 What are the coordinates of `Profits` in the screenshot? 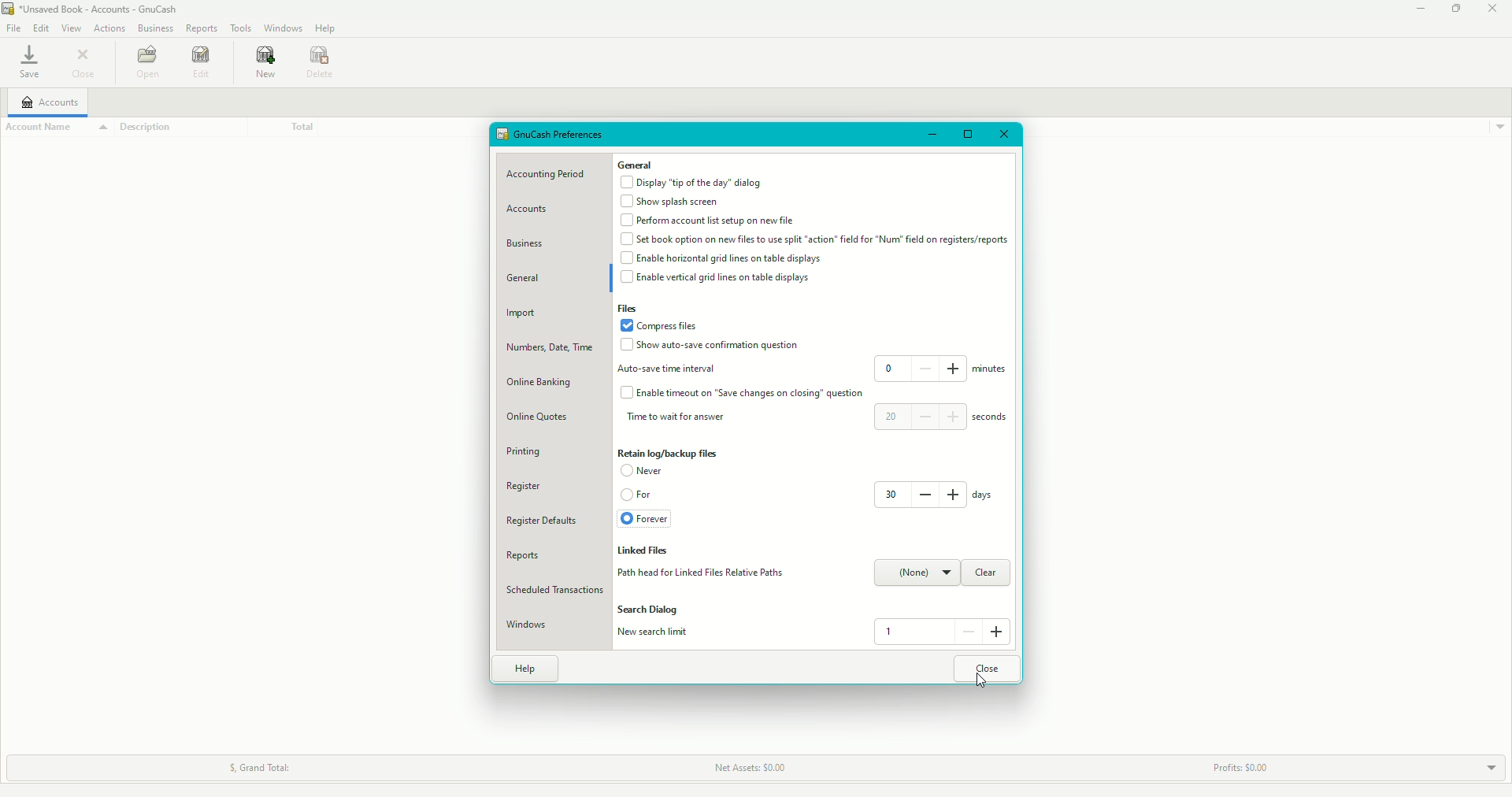 It's located at (1232, 768).